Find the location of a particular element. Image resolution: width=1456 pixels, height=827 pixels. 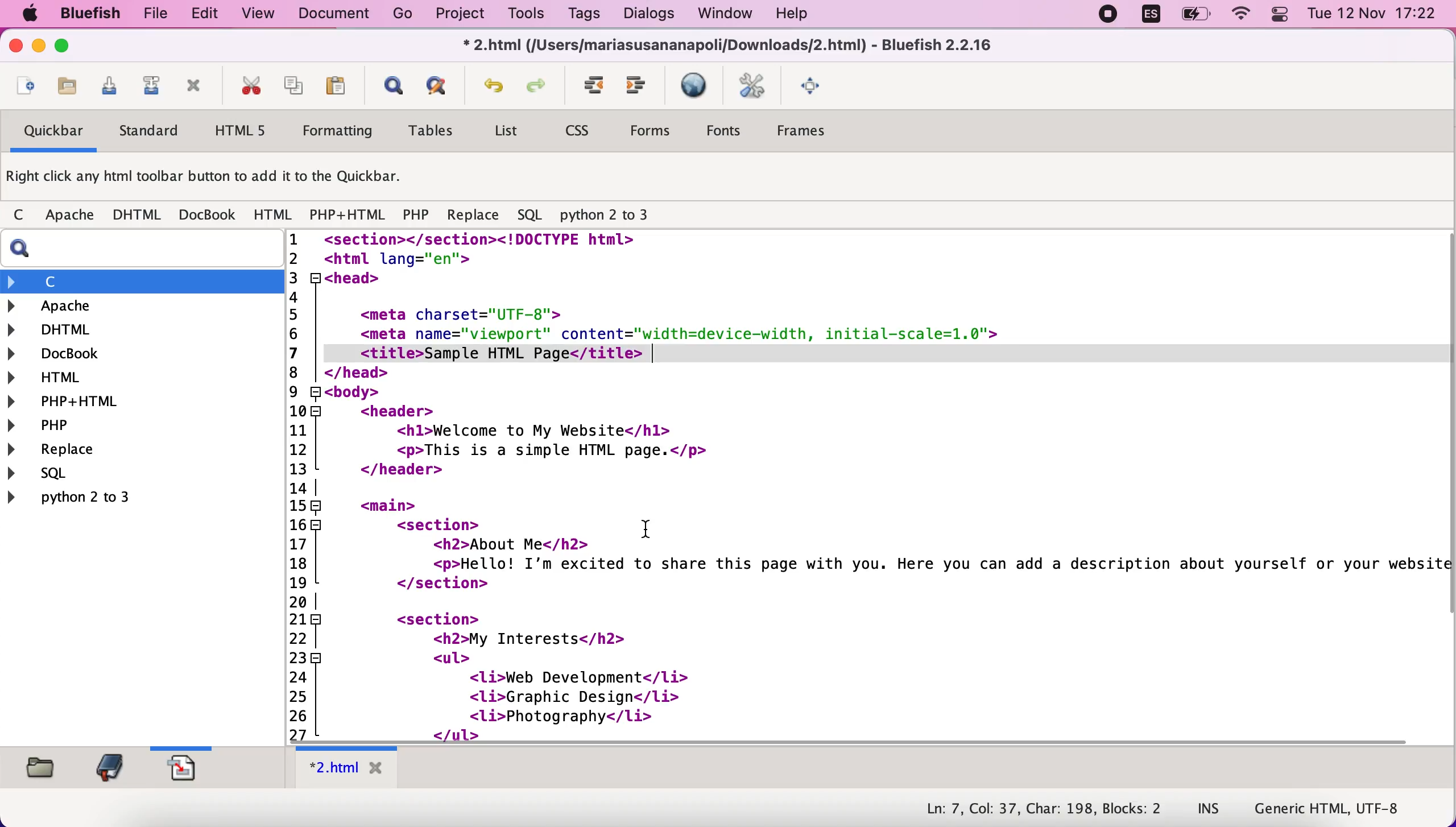

standard is located at coordinates (158, 129).